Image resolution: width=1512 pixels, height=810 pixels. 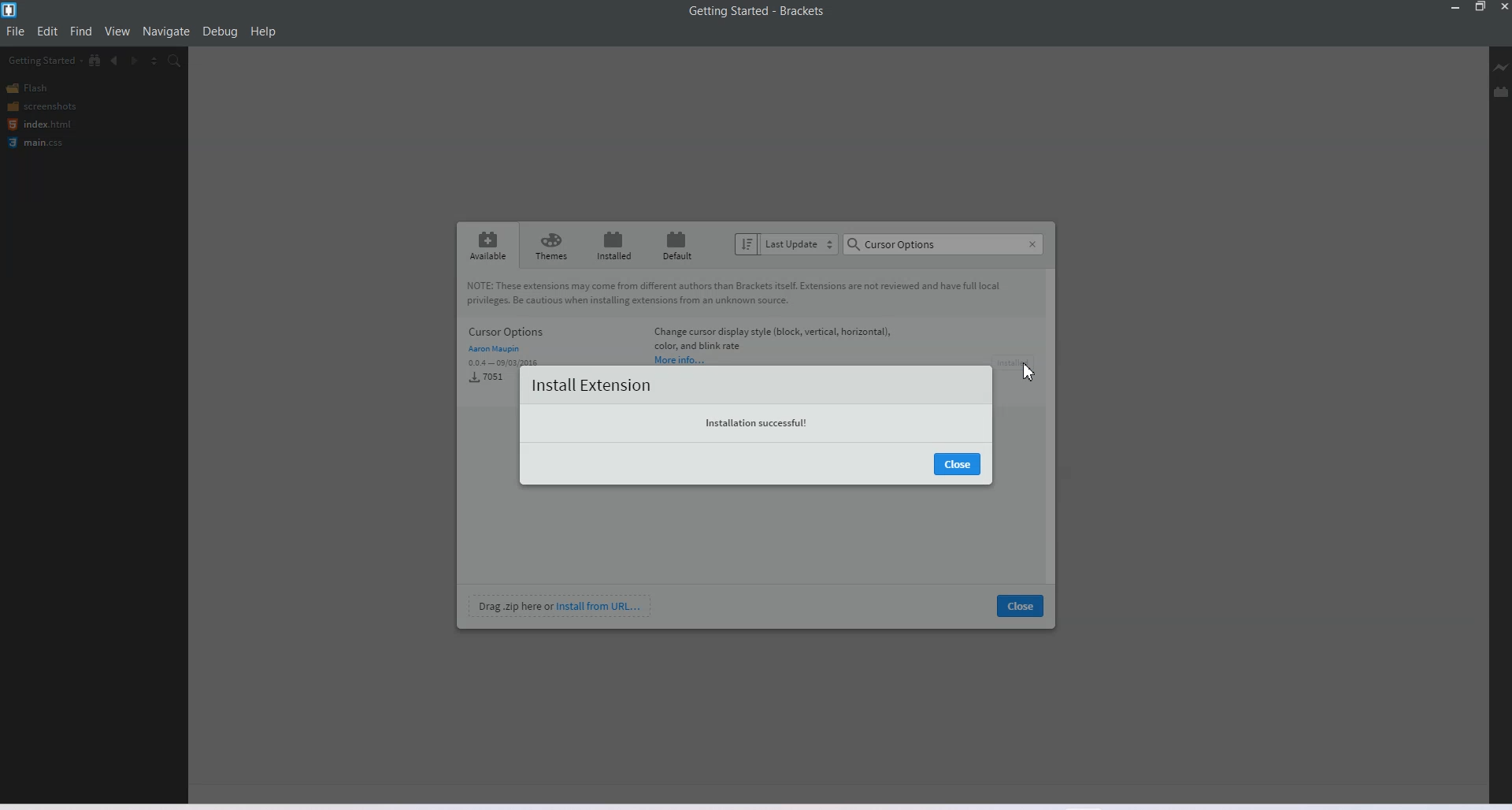 What do you see at coordinates (757, 12) in the screenshot?
I see `Getting Started-Brackets` at bounding box center [757, 12].